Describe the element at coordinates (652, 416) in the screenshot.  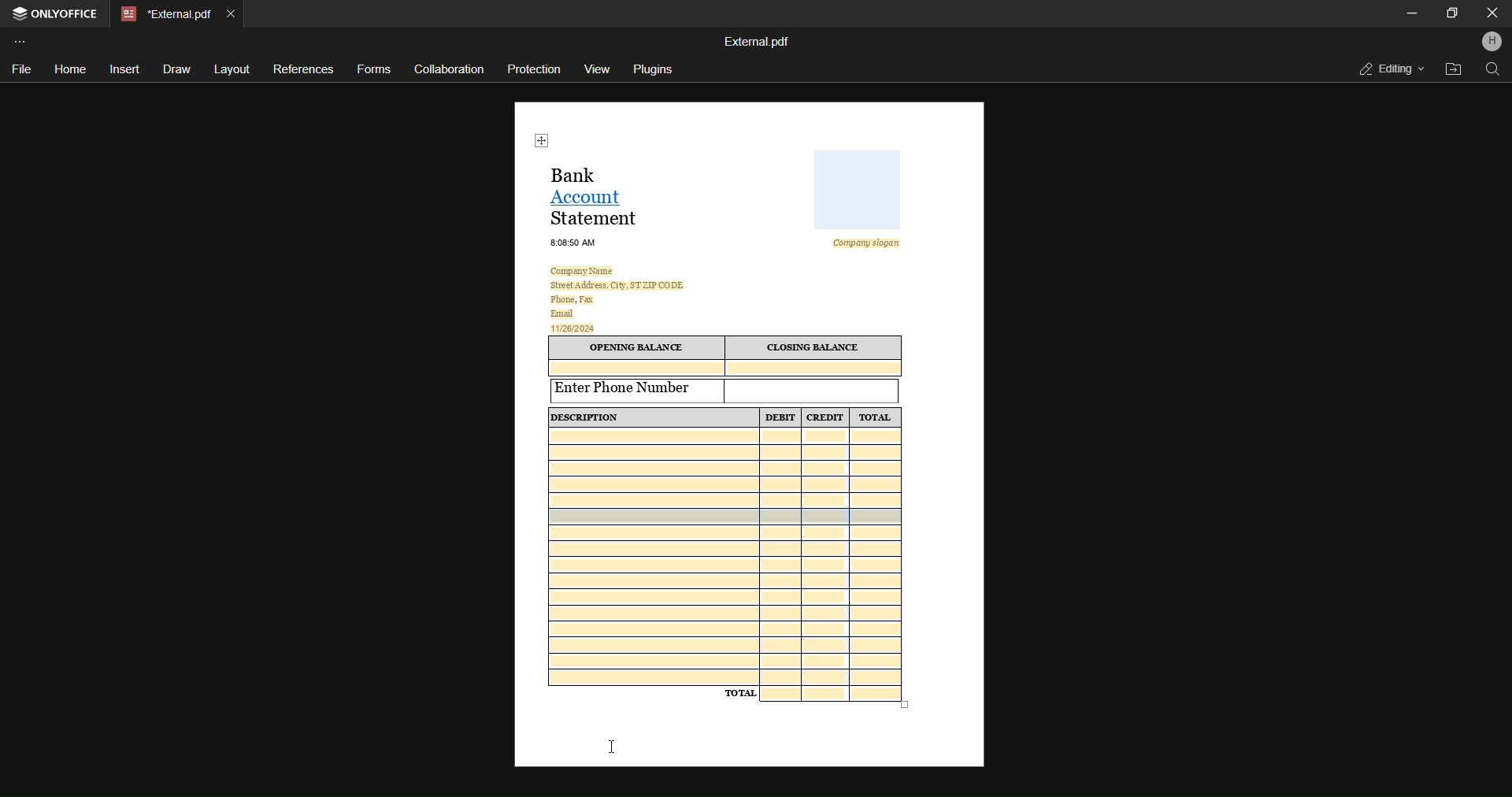
I see `DESCRIPTION` at that location.